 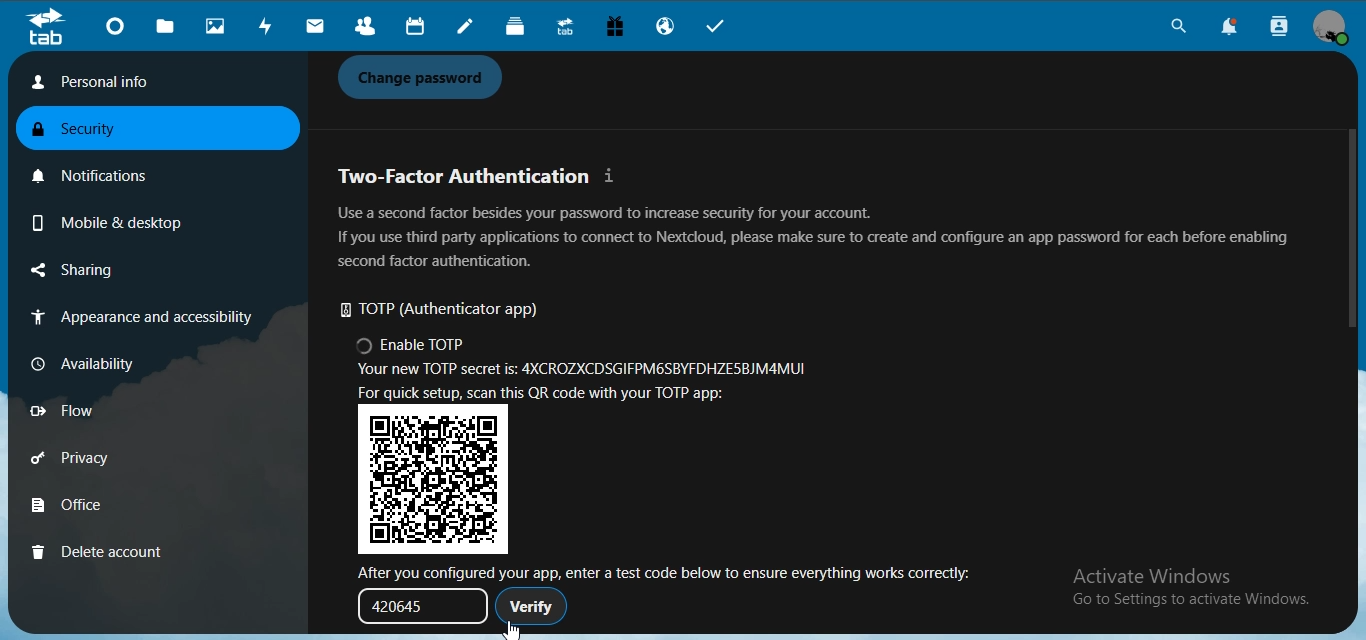 What do you see at coordinates (89, 131) in the screenshot?
I see `security` at bounding box center [89, 131].